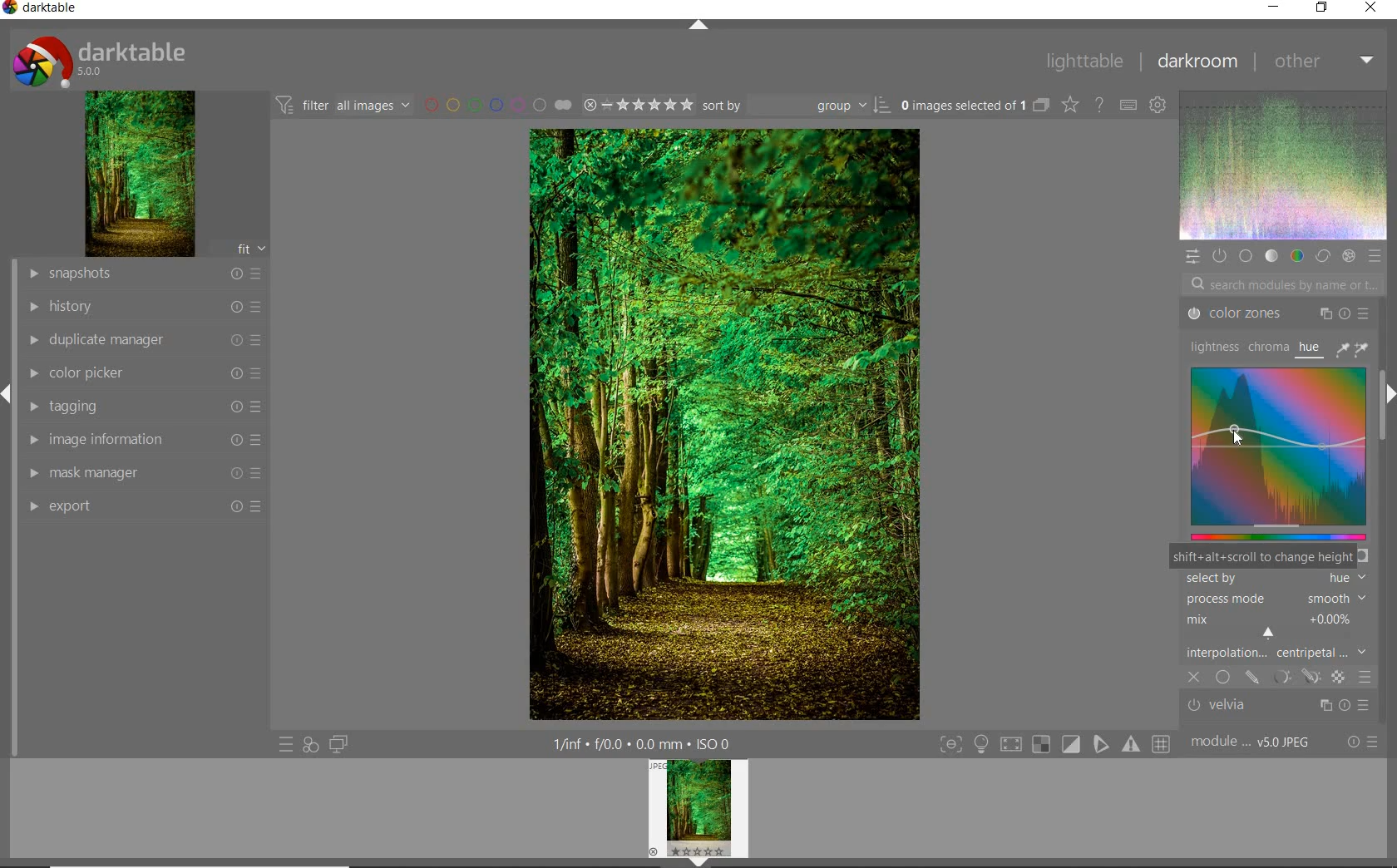  What do you see at coordinates (1042, 105) in the screenshot?
I see `COLLAPSE GROUPED IMAGES` at bounding box center [1042, 105].